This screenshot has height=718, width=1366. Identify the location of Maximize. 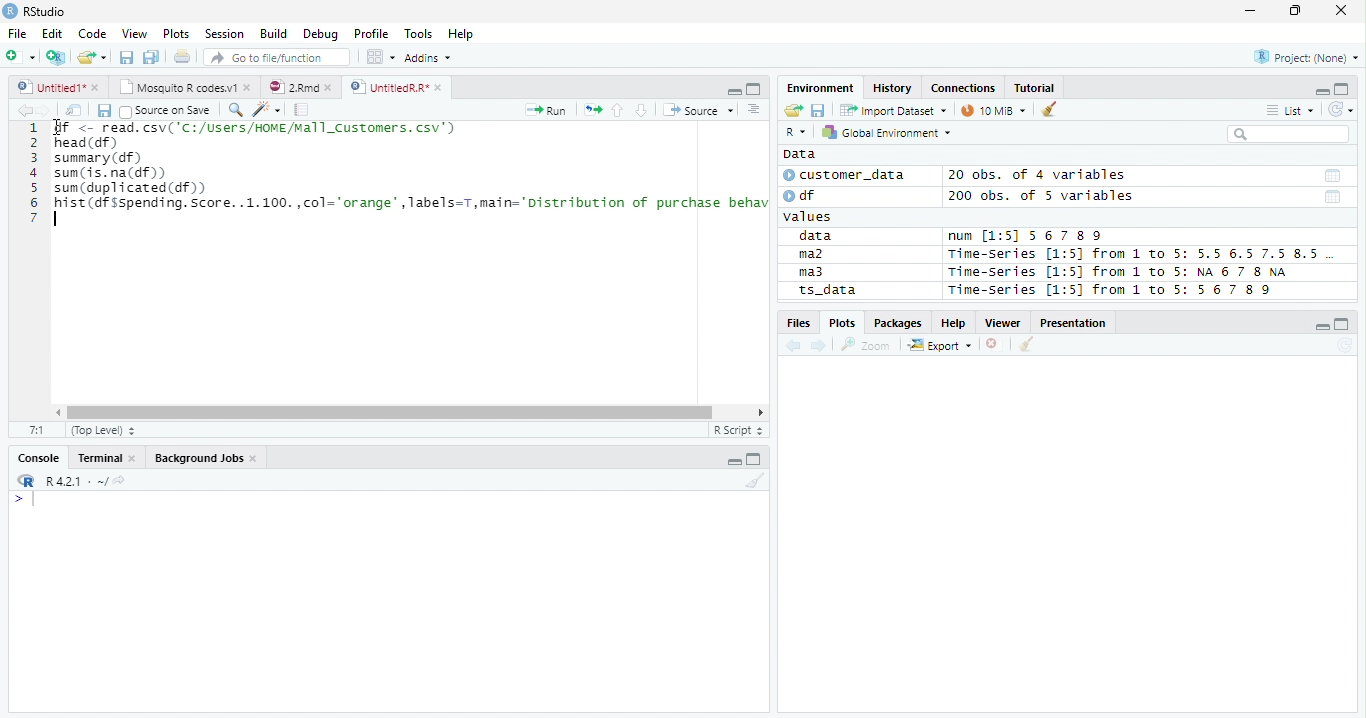
(1343, 89).